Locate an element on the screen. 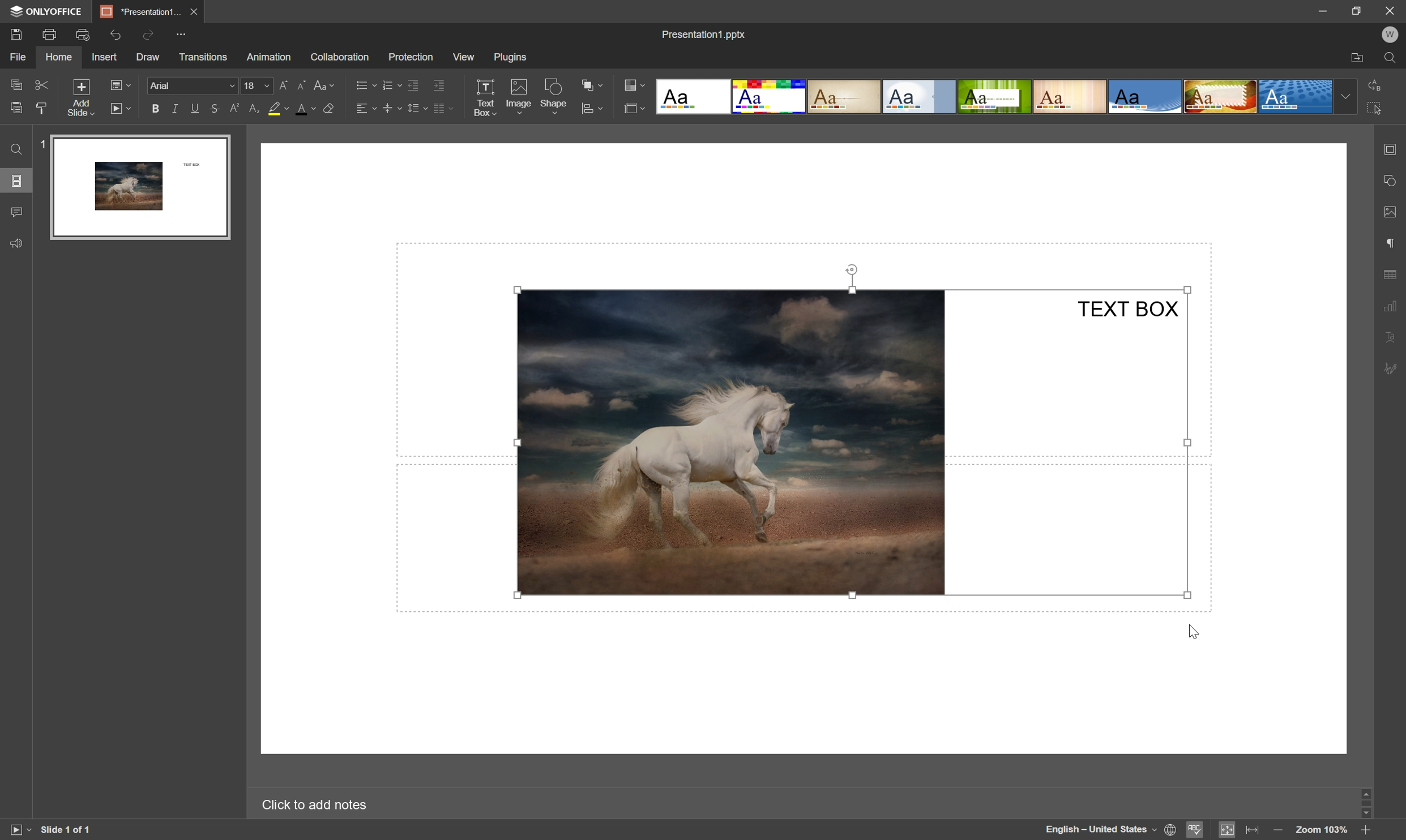 This screenshot has height=840, width=1406. drop down is located at coordinates (1347, 97).